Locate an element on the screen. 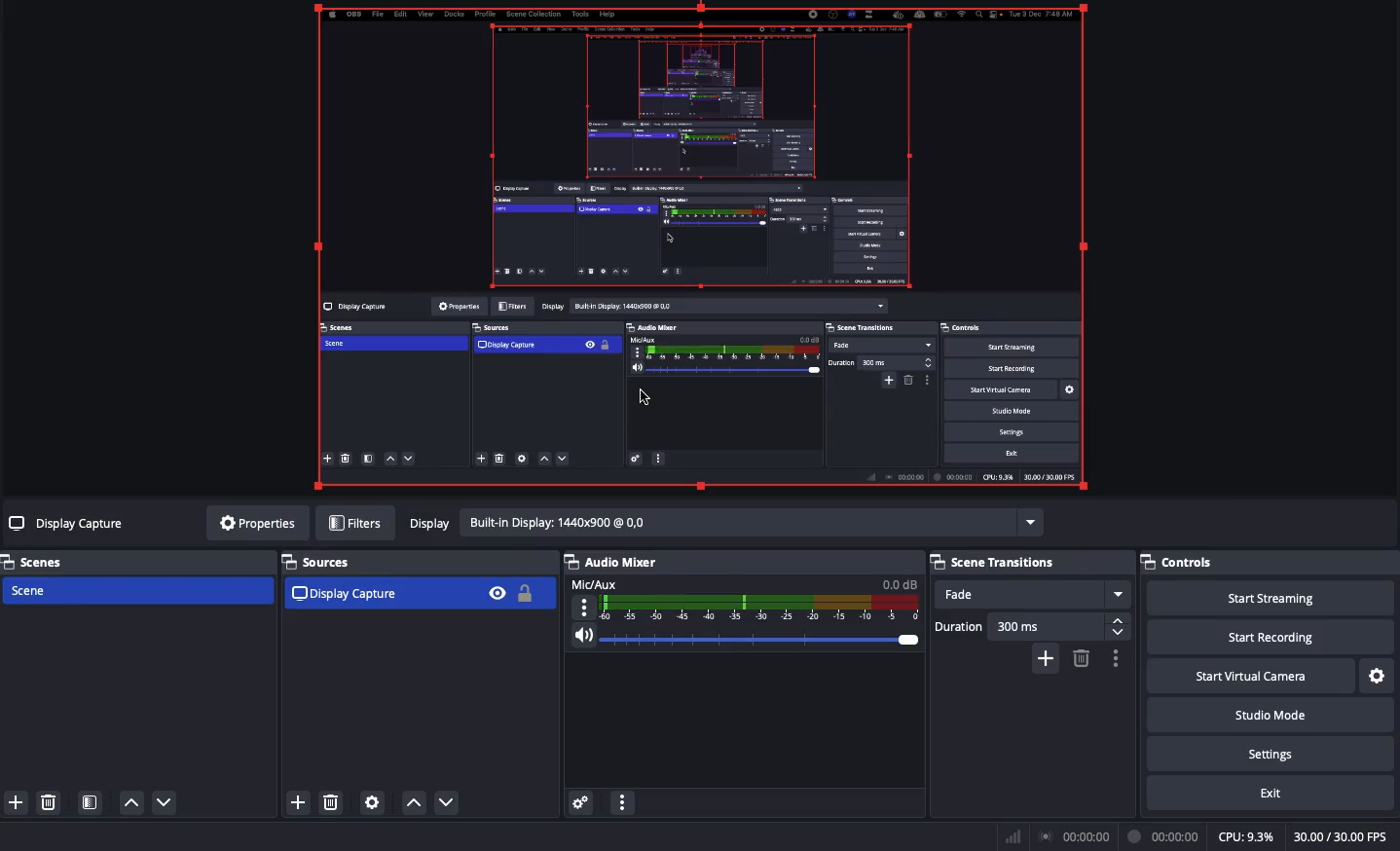  delete is located at coordinates (334, 803).